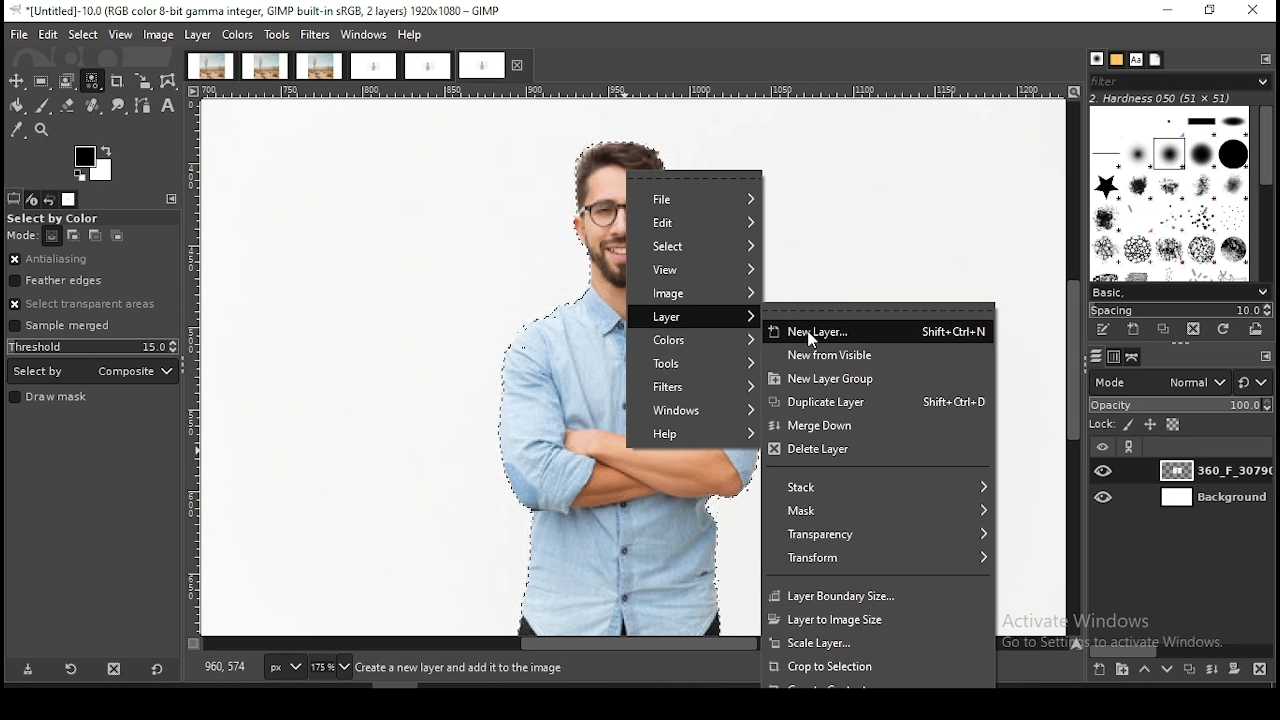 Image resolution: width=1280 pixels, height=720 pixels. What do you see at coordinates (694, 317) in the screenshot?
I see `layer` at bounding box center [694, 317].